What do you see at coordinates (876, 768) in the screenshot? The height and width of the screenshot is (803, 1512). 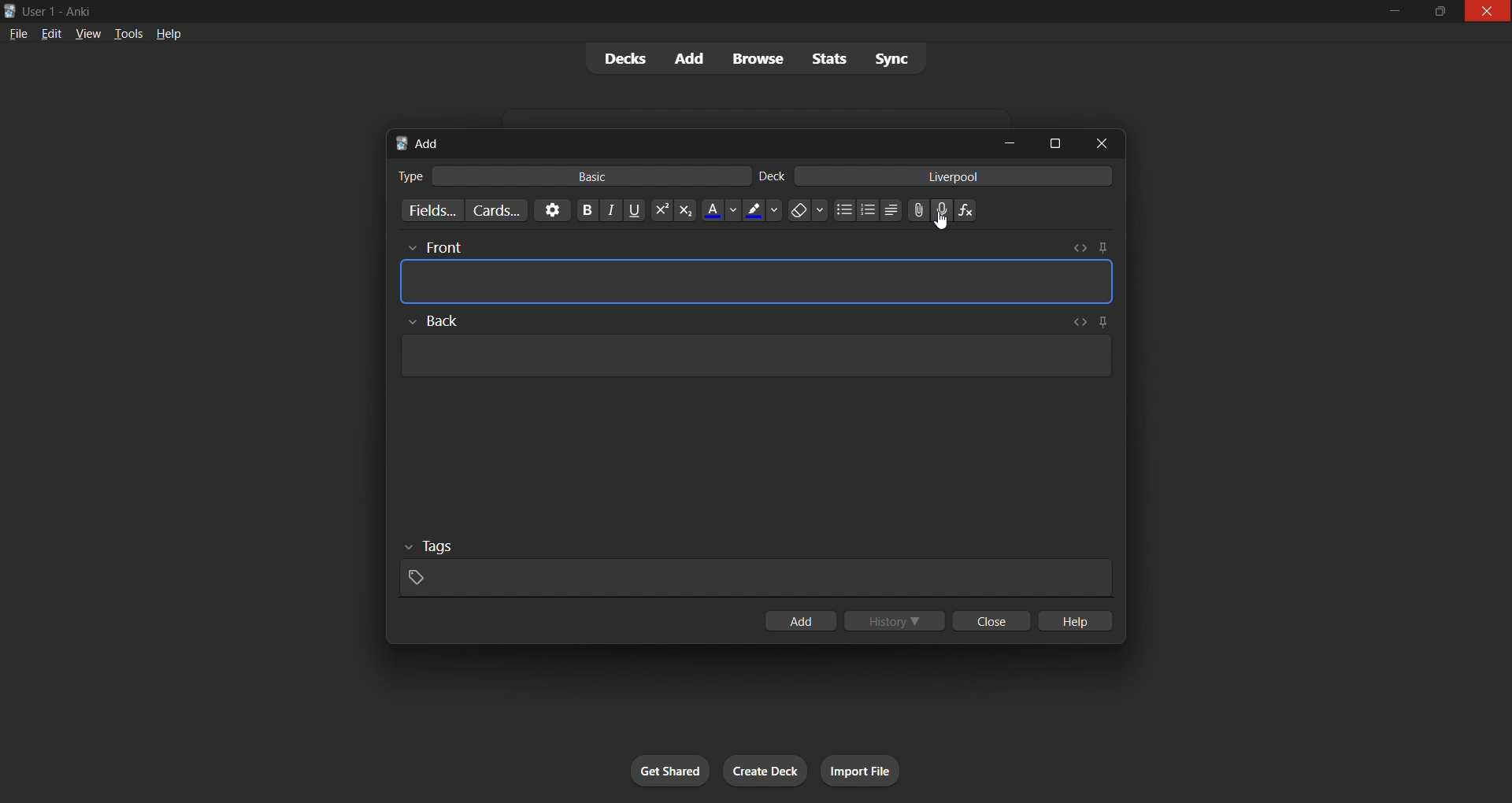 I see `import file` at bounding box center [876, 768].